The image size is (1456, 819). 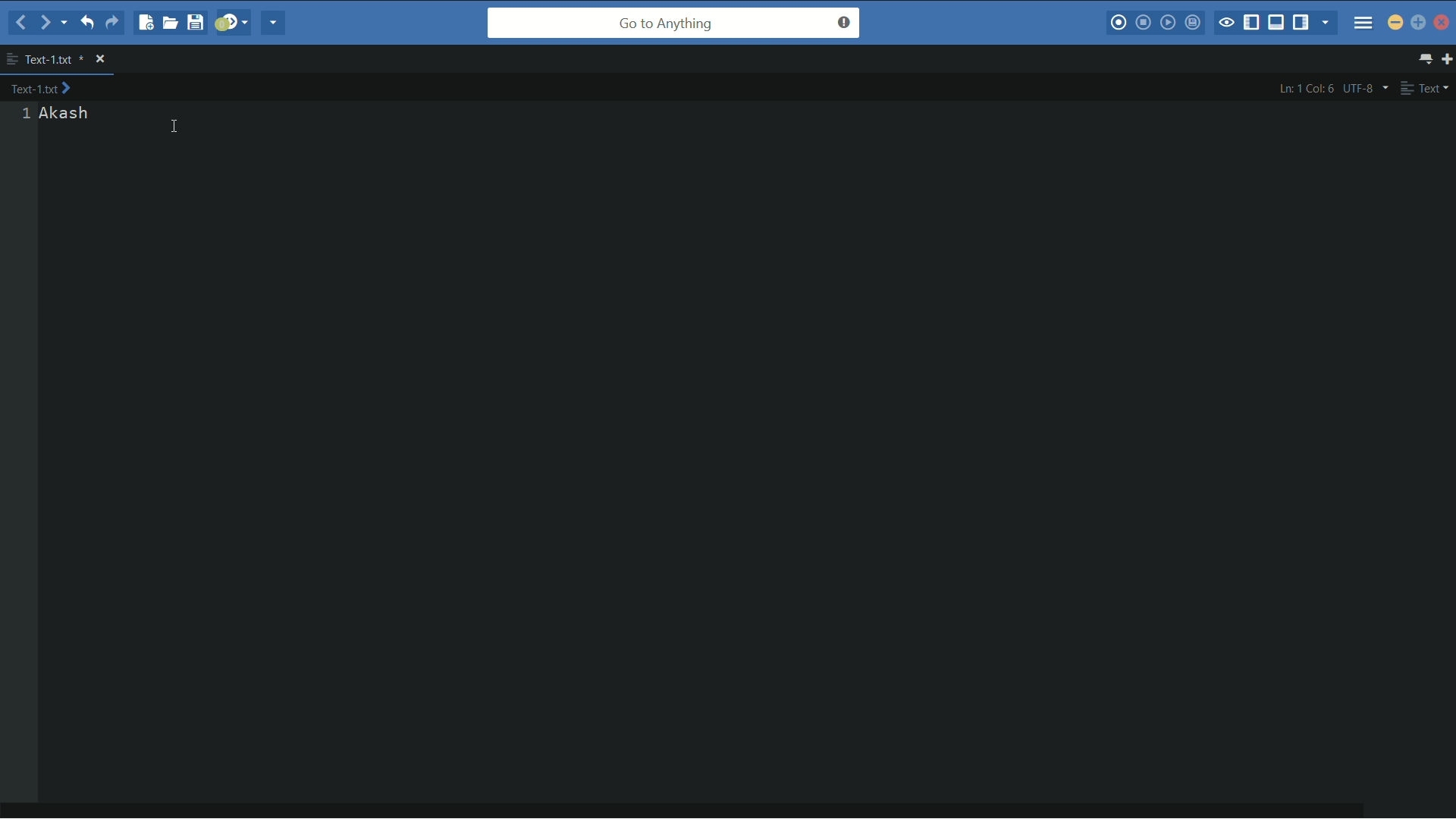 What do you see at coordinates (144, 22) in the screenshot?
I see `new file` at bounding box center [144, 22].